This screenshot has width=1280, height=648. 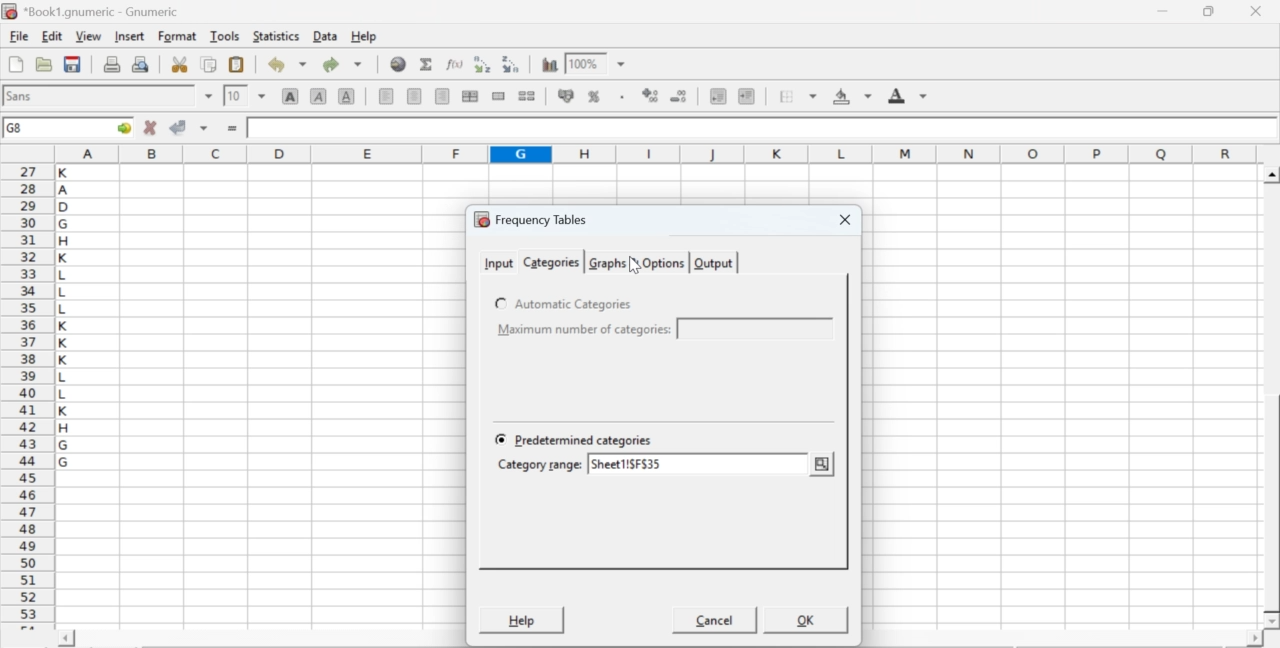 What do you see at coordinates (803, 620) in the screenshot?
I see `OK` at bounding box center [803, 620].